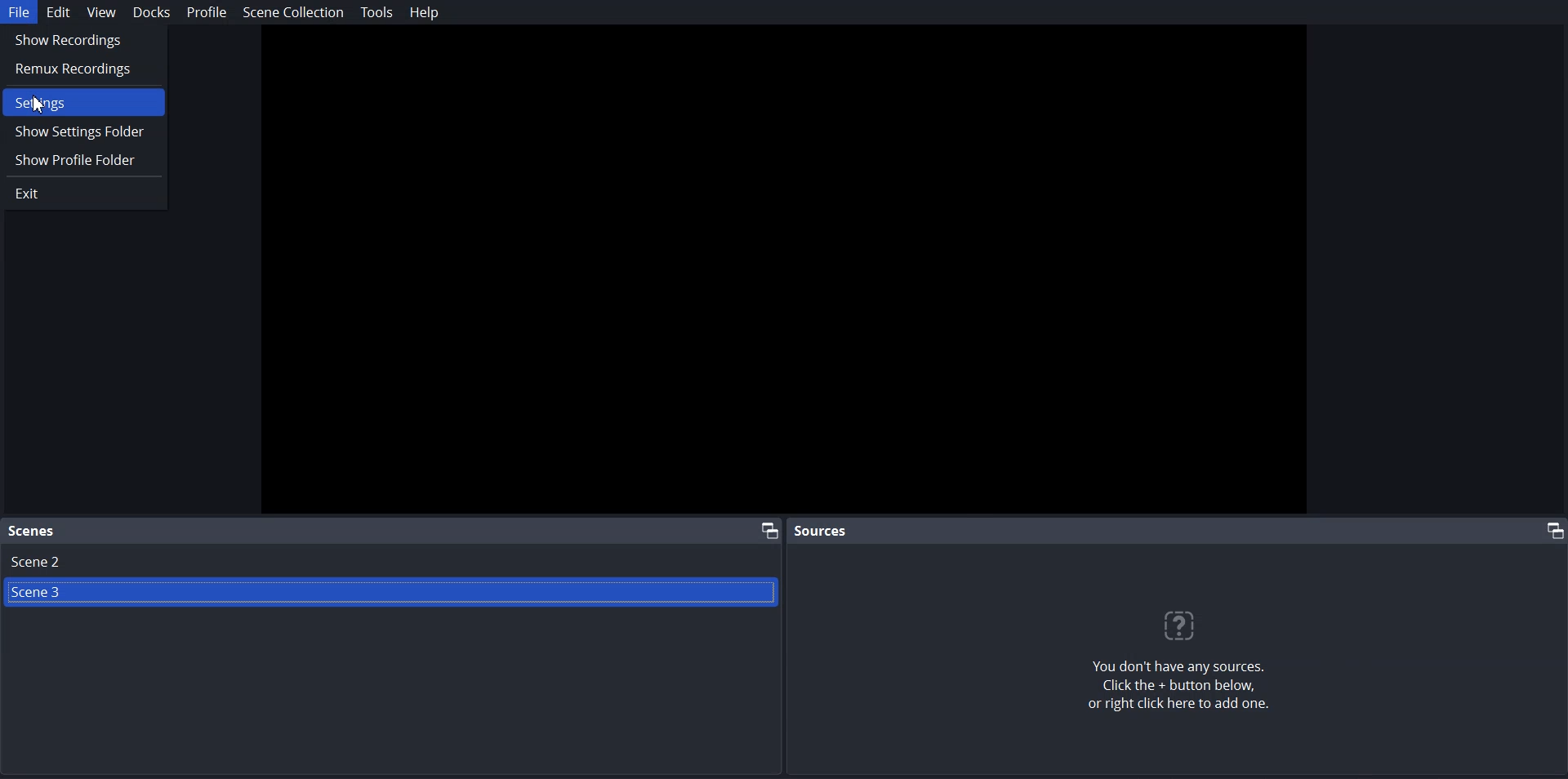 Image resolution: width=1568 pixels, height=779 pixels. I want to click on Cursor on settings, so click(42, 104).